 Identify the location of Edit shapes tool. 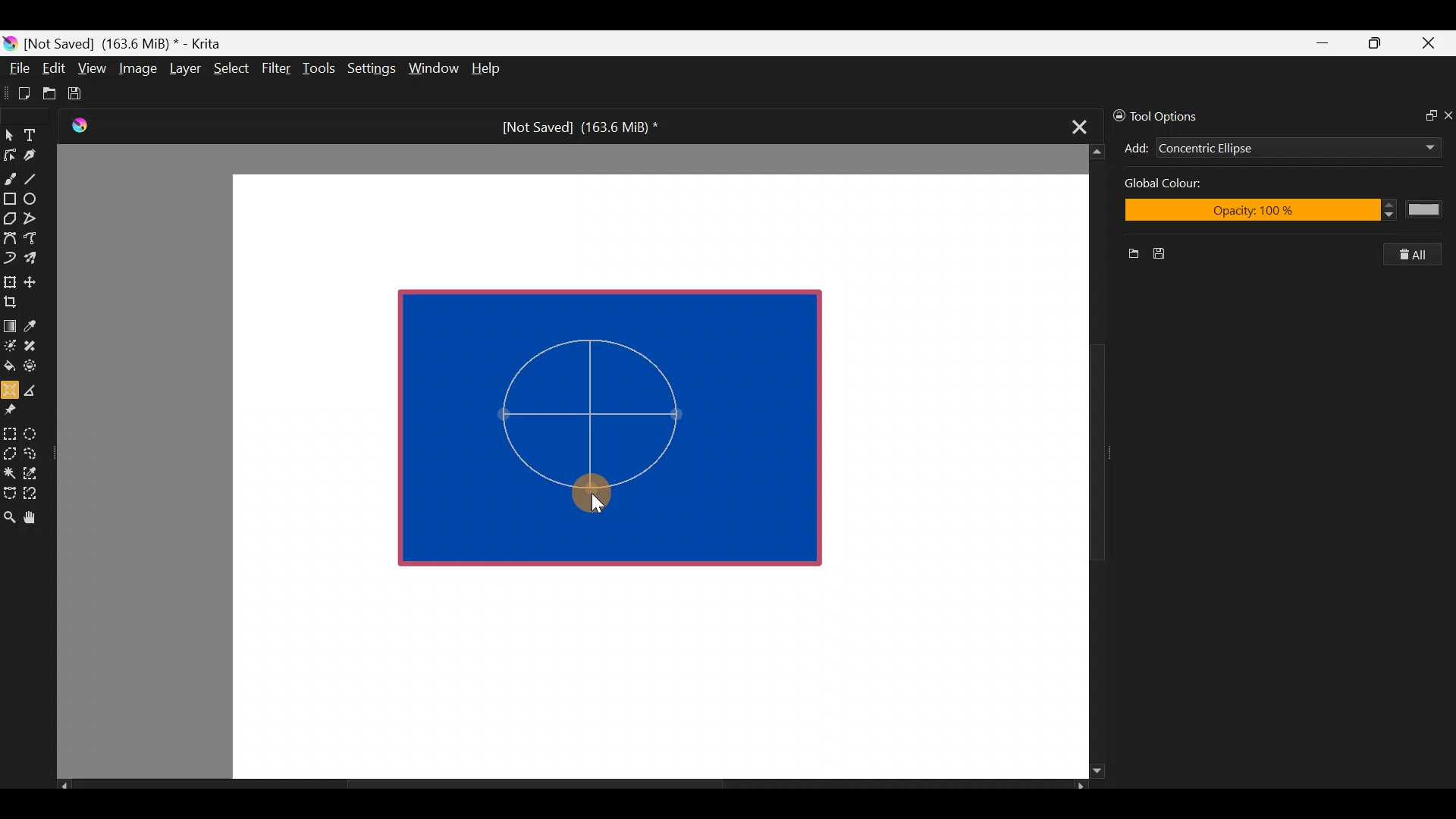
(10, 154).